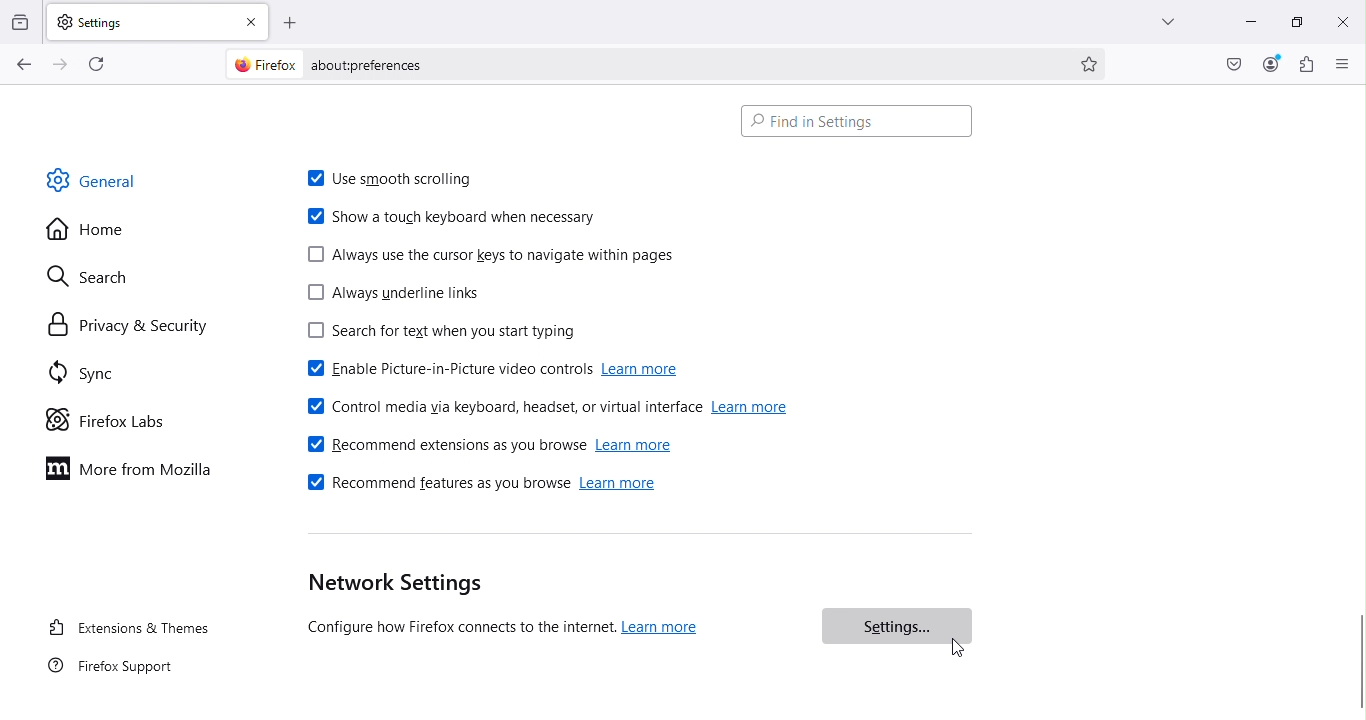 This screenshot has height=720, width=1366. What do you see at coordinates (291, 20) in the screenshot?
I see `Open a new tab` at bounding box center [291, 20].